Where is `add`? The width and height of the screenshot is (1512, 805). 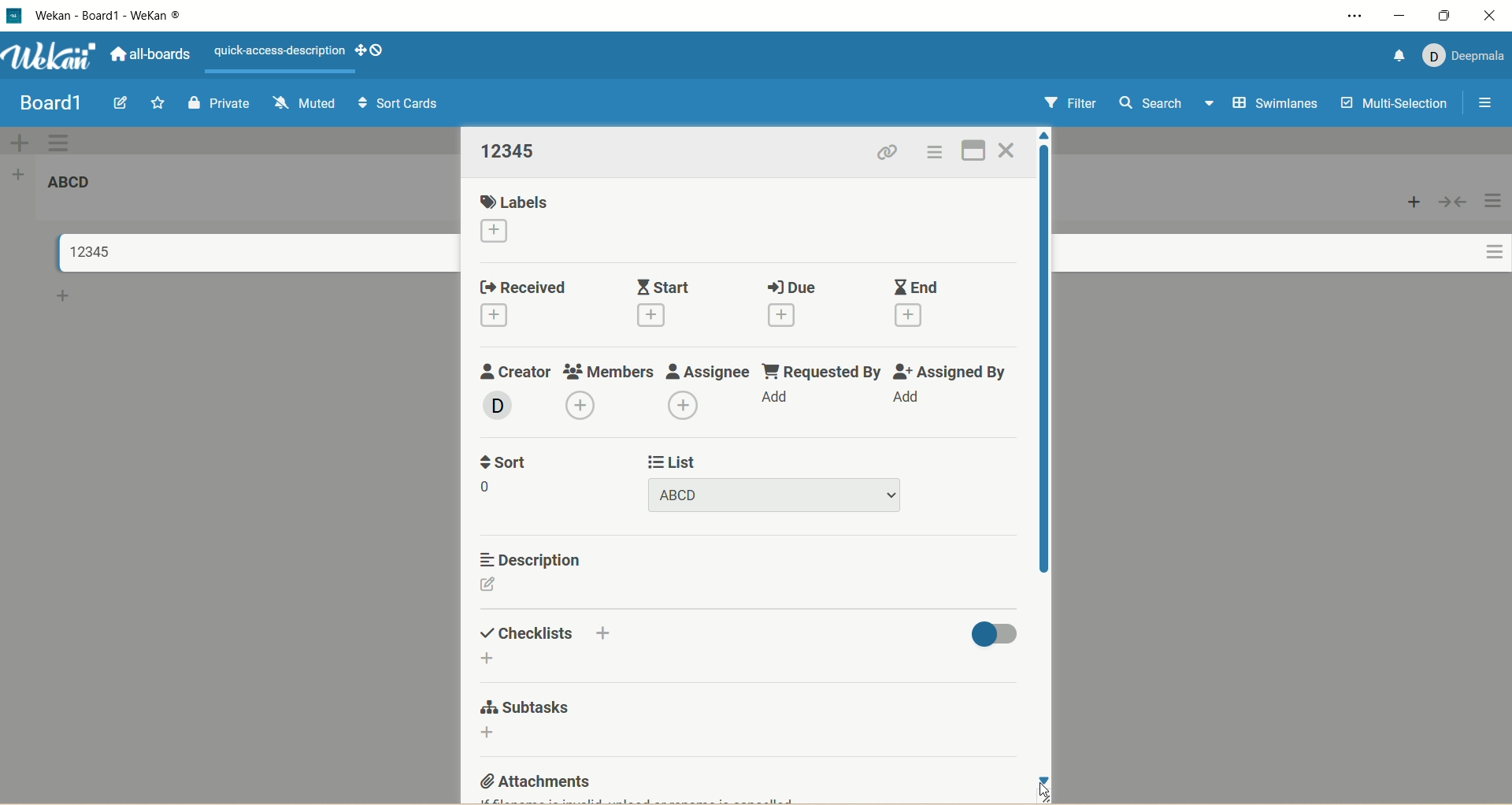 add is located at coordinates (582, 406).